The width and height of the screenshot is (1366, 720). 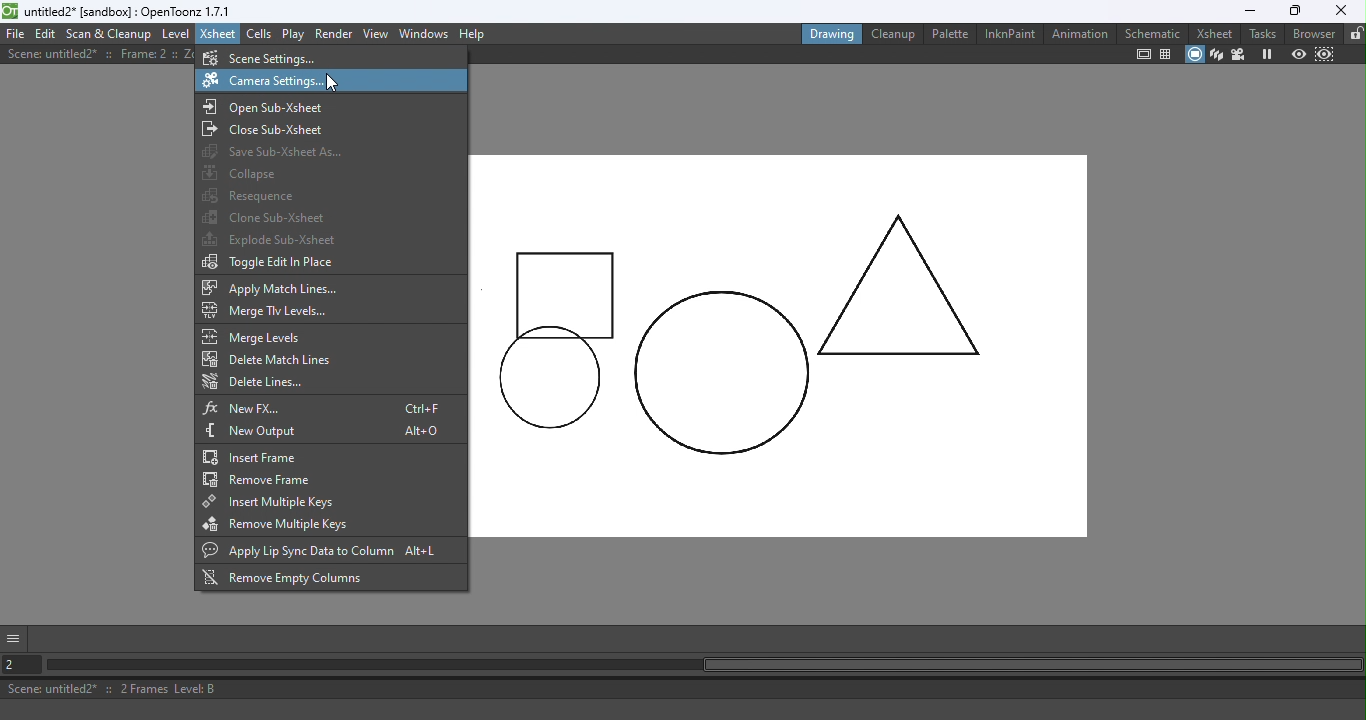 I want to click on Help, so click(x=474, y=34).